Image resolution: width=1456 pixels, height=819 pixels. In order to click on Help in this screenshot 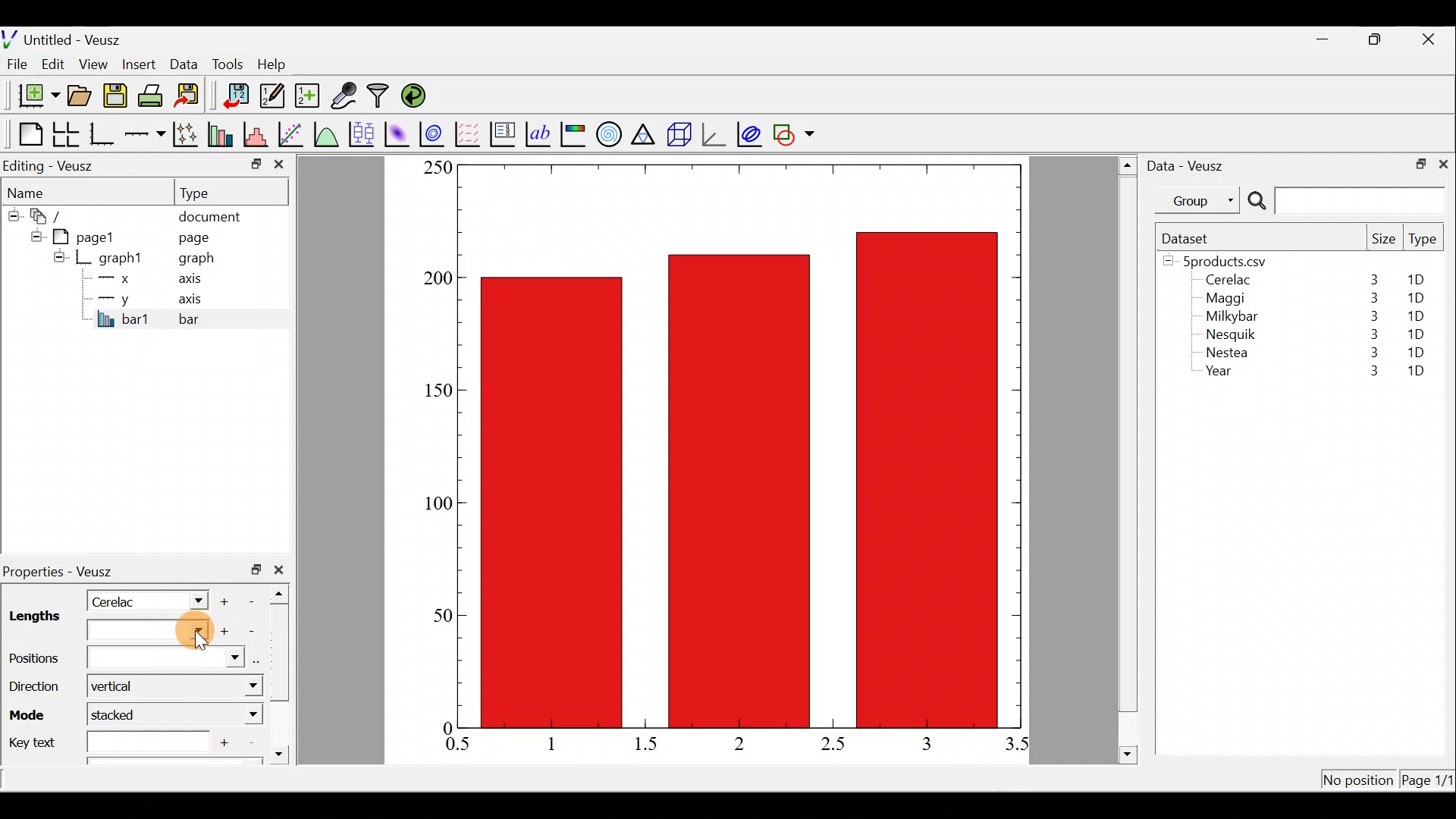, I will do `click(281, 64)`.